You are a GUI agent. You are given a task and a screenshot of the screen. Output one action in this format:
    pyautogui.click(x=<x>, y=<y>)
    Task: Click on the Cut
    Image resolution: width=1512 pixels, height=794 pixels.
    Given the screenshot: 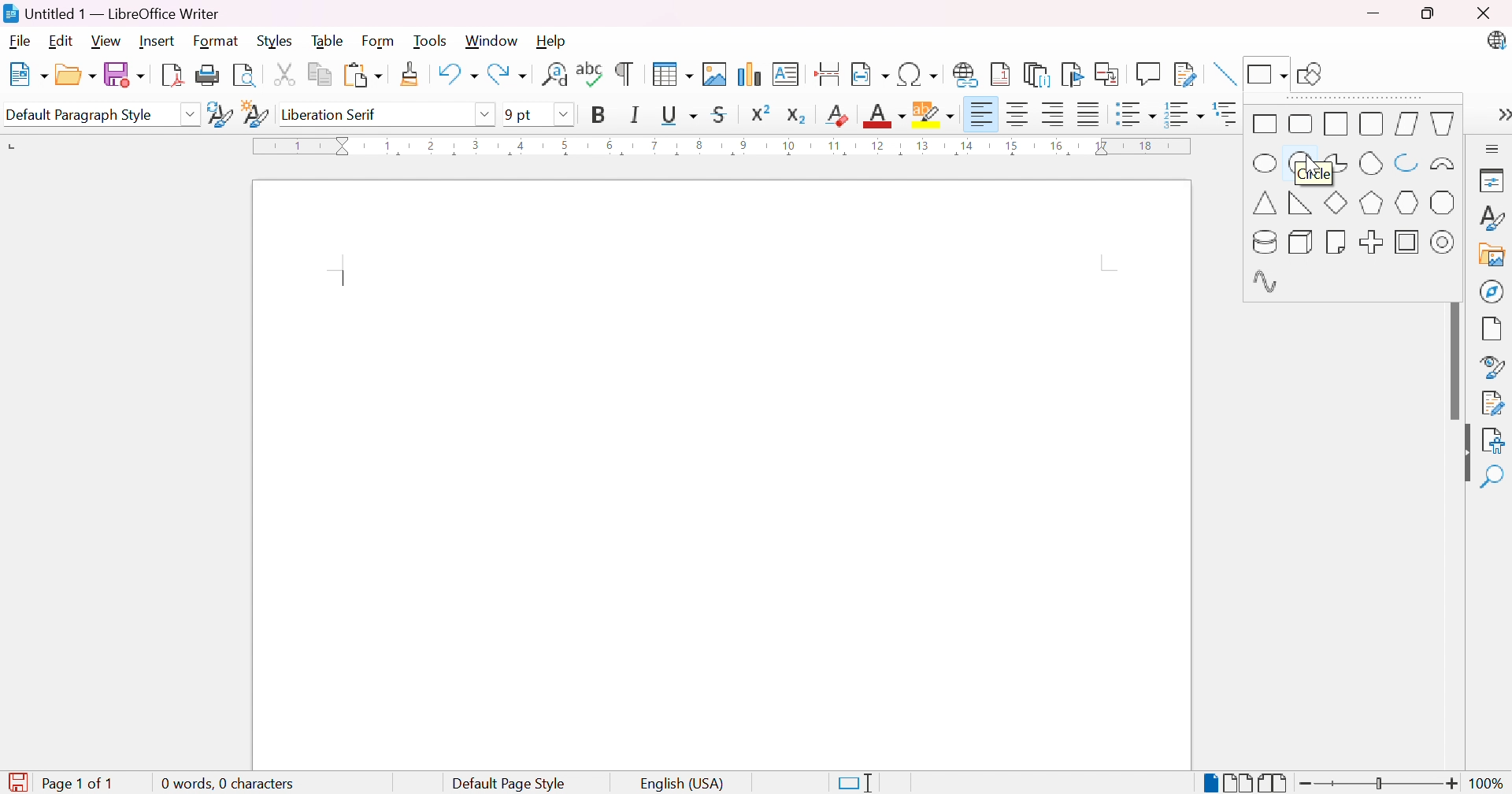 What is the action you would take?
    pyautogui.click(x=284, y=75)
    